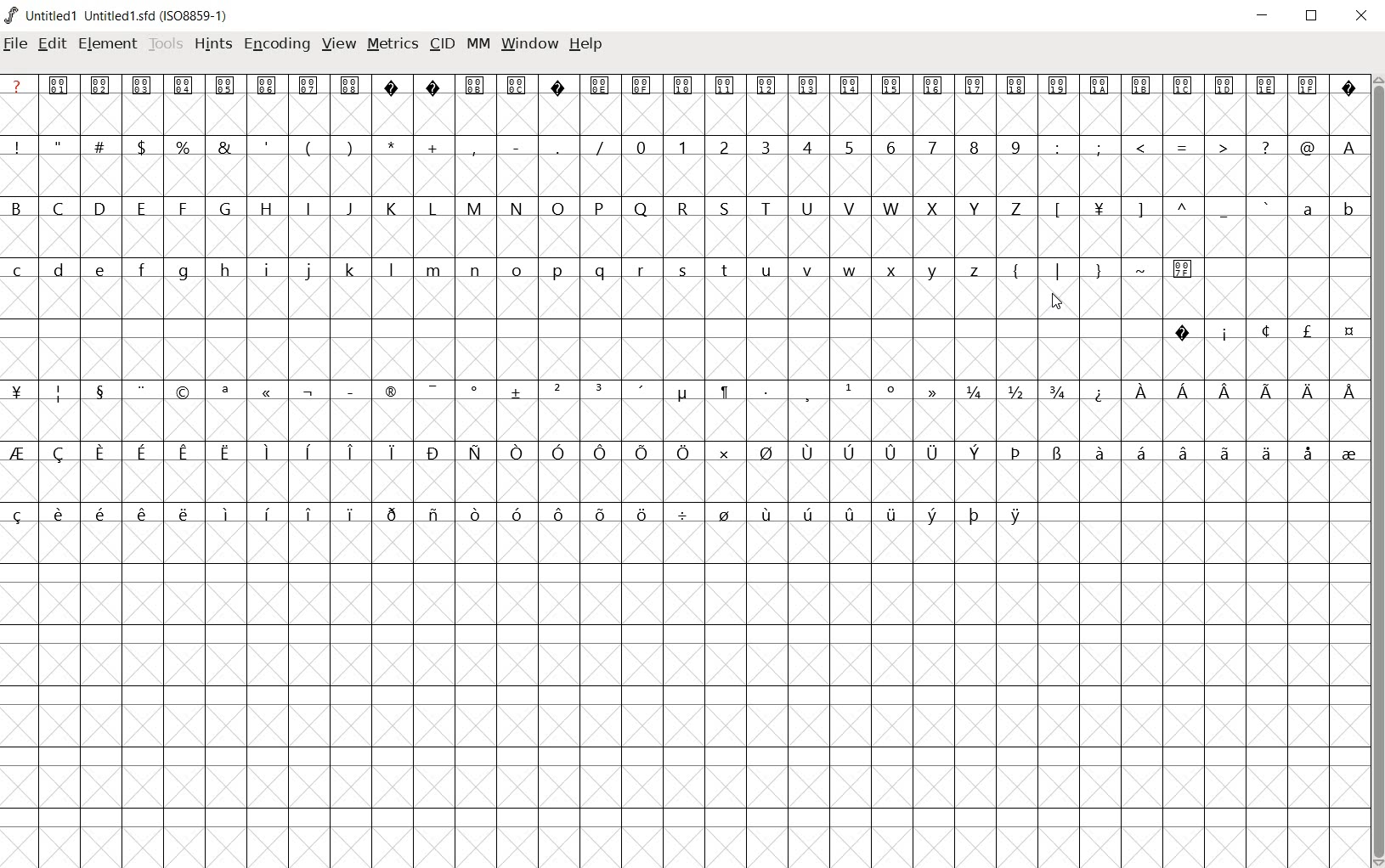 The width and height of the screenshot is (1385, 868). What do you see at coordinates (166, 42) in the screenshot?
I see `tools` at bounding box center [166, 42].